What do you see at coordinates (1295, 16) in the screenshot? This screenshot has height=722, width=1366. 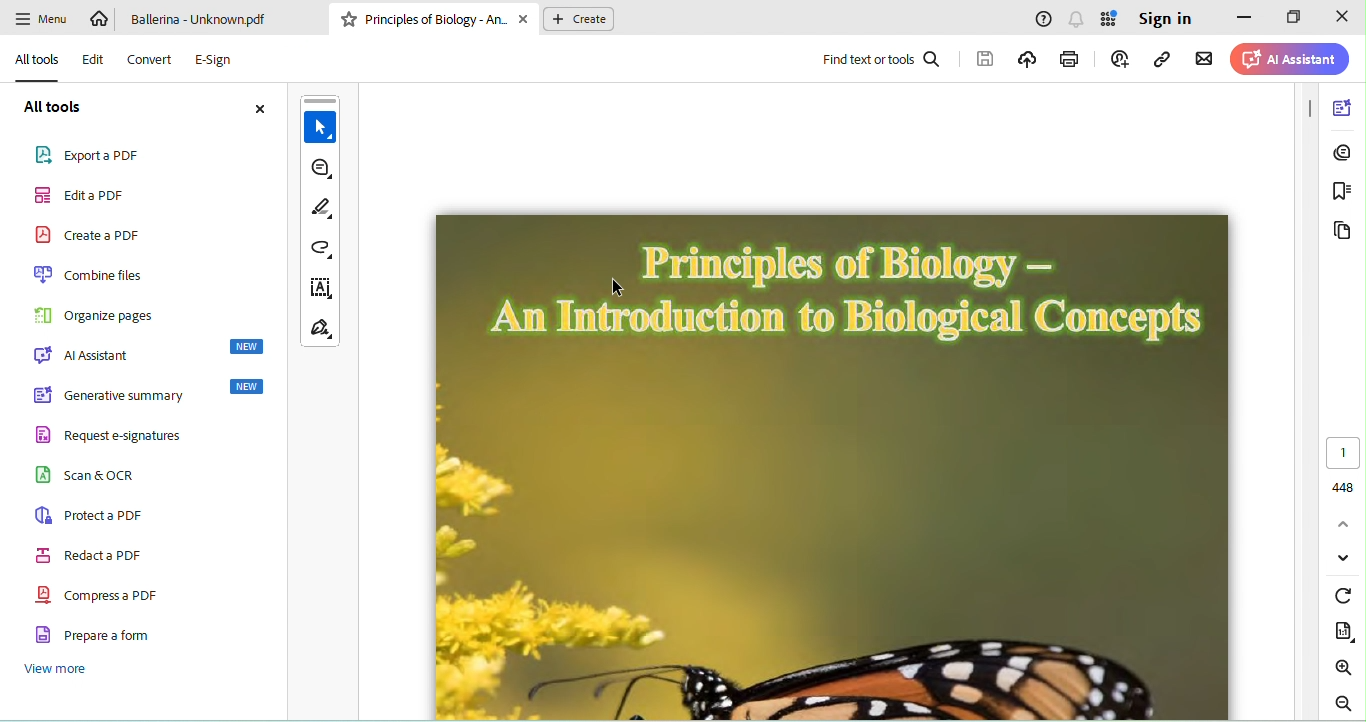 I see `maximize` at bounding box center [1295, 16].